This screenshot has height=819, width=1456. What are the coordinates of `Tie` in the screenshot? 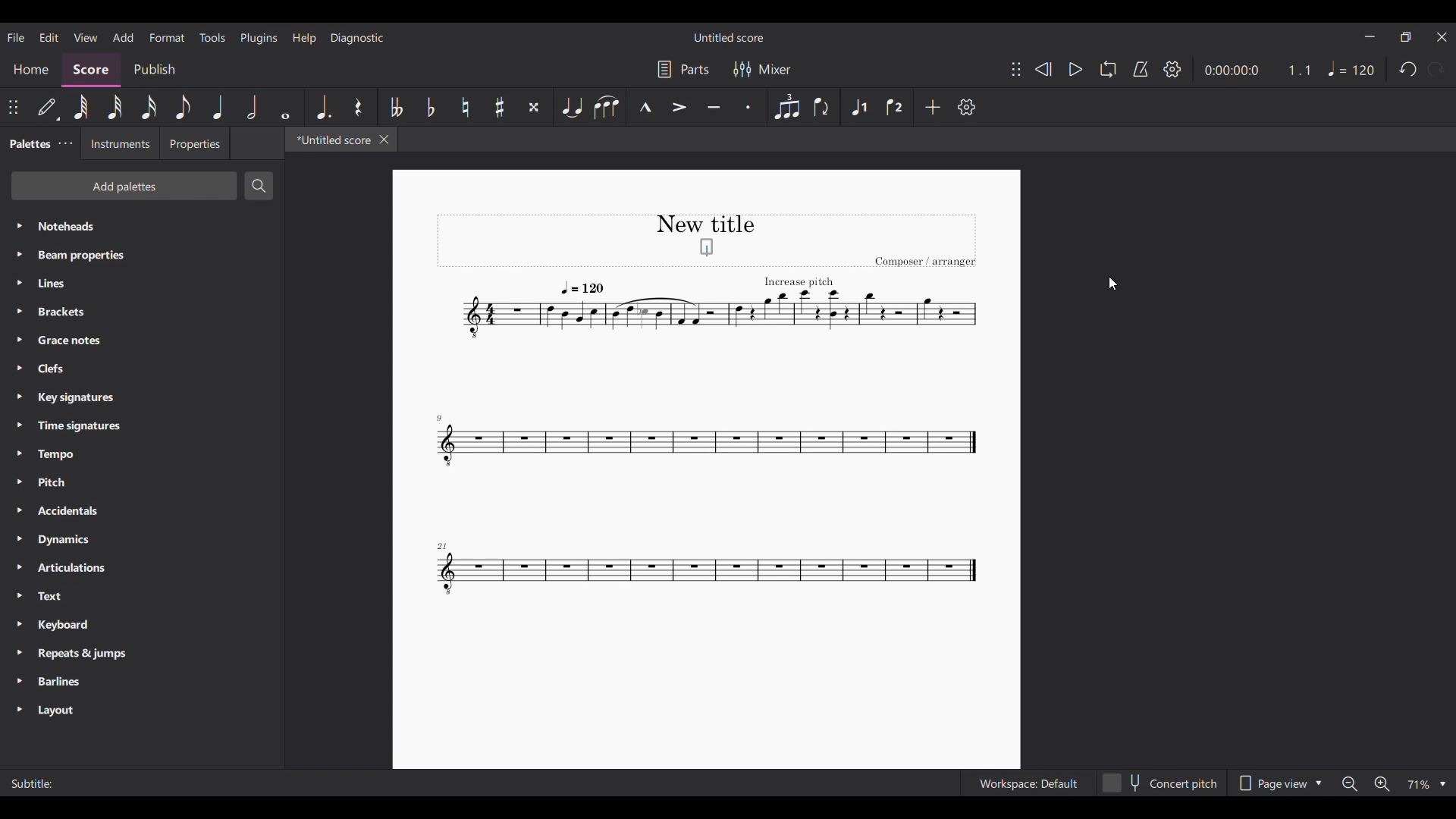 It's located at (571, 107).